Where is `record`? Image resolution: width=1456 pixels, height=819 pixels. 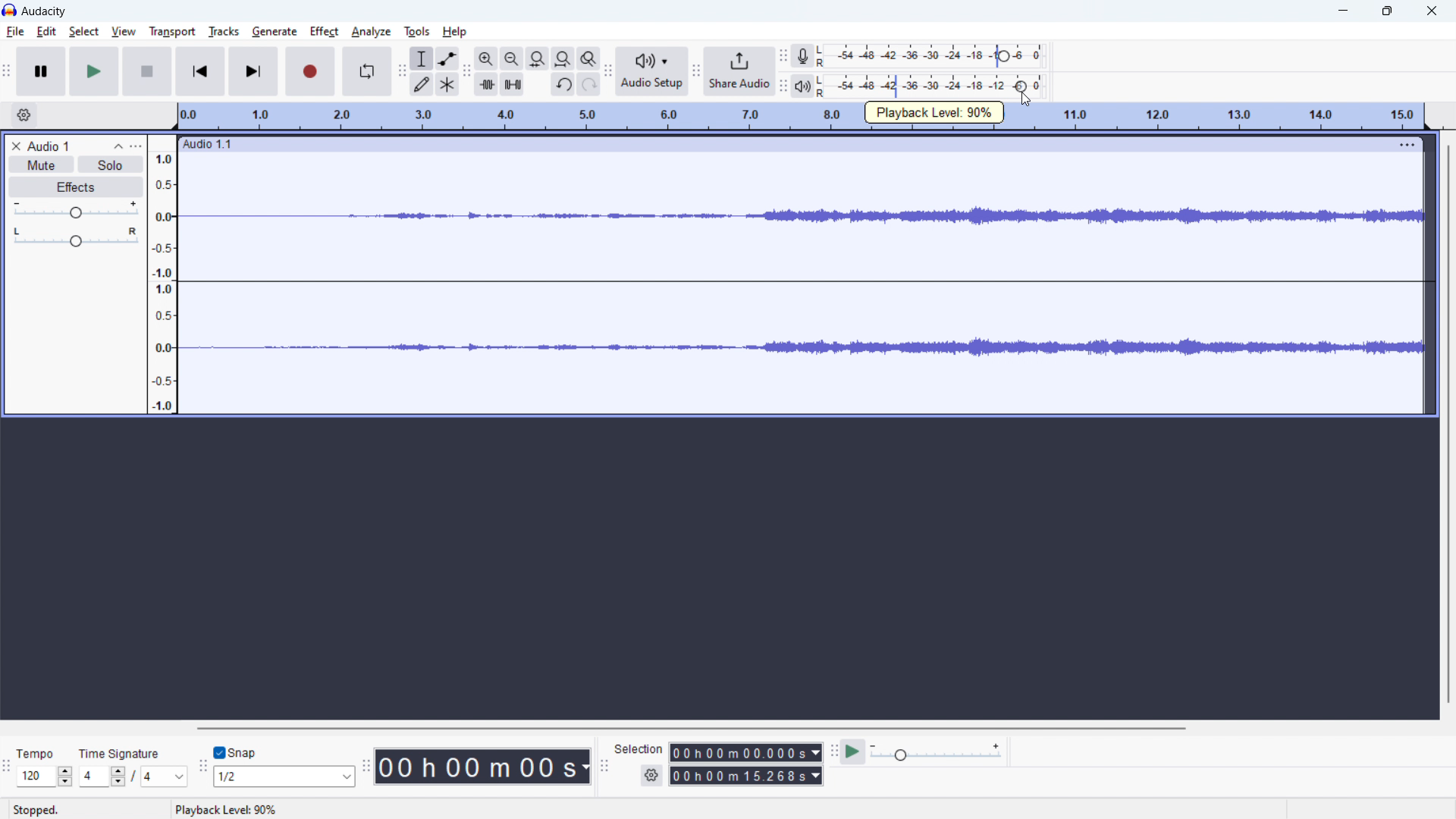
record is located at coordinates (310, 72).